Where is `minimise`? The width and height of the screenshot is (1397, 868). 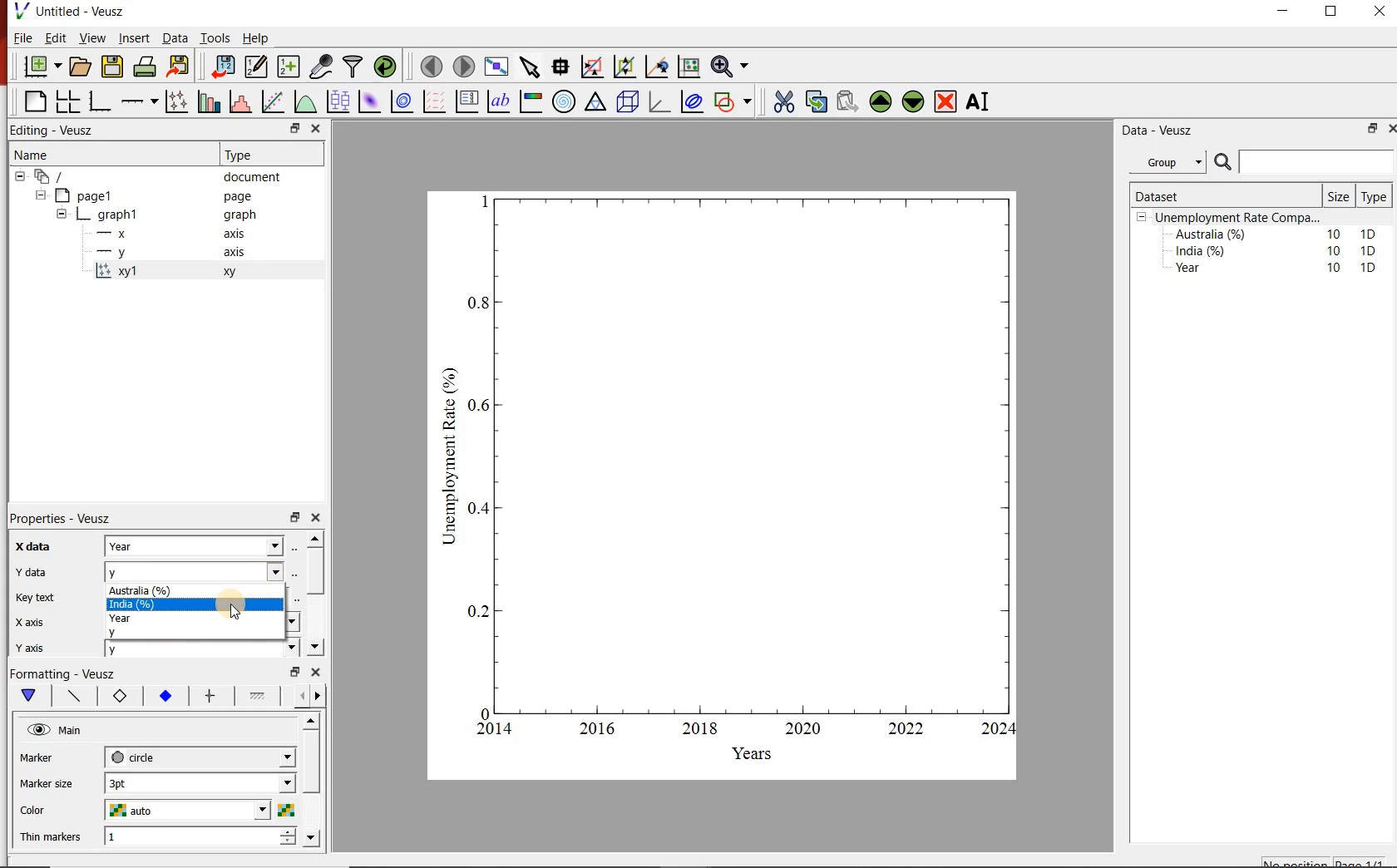
minimise is located at coordinates (297, 128).